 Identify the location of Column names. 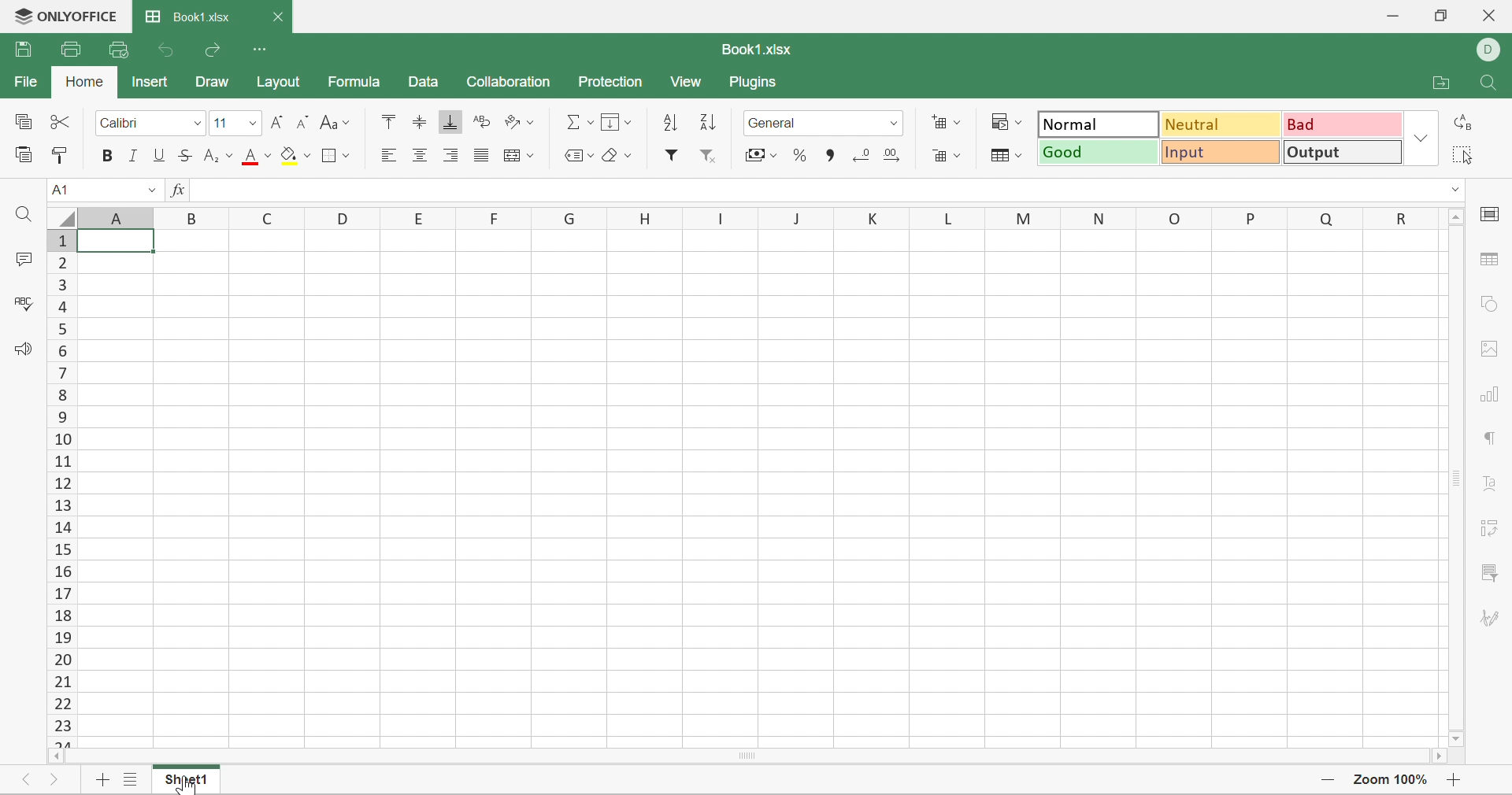
(117, 217).